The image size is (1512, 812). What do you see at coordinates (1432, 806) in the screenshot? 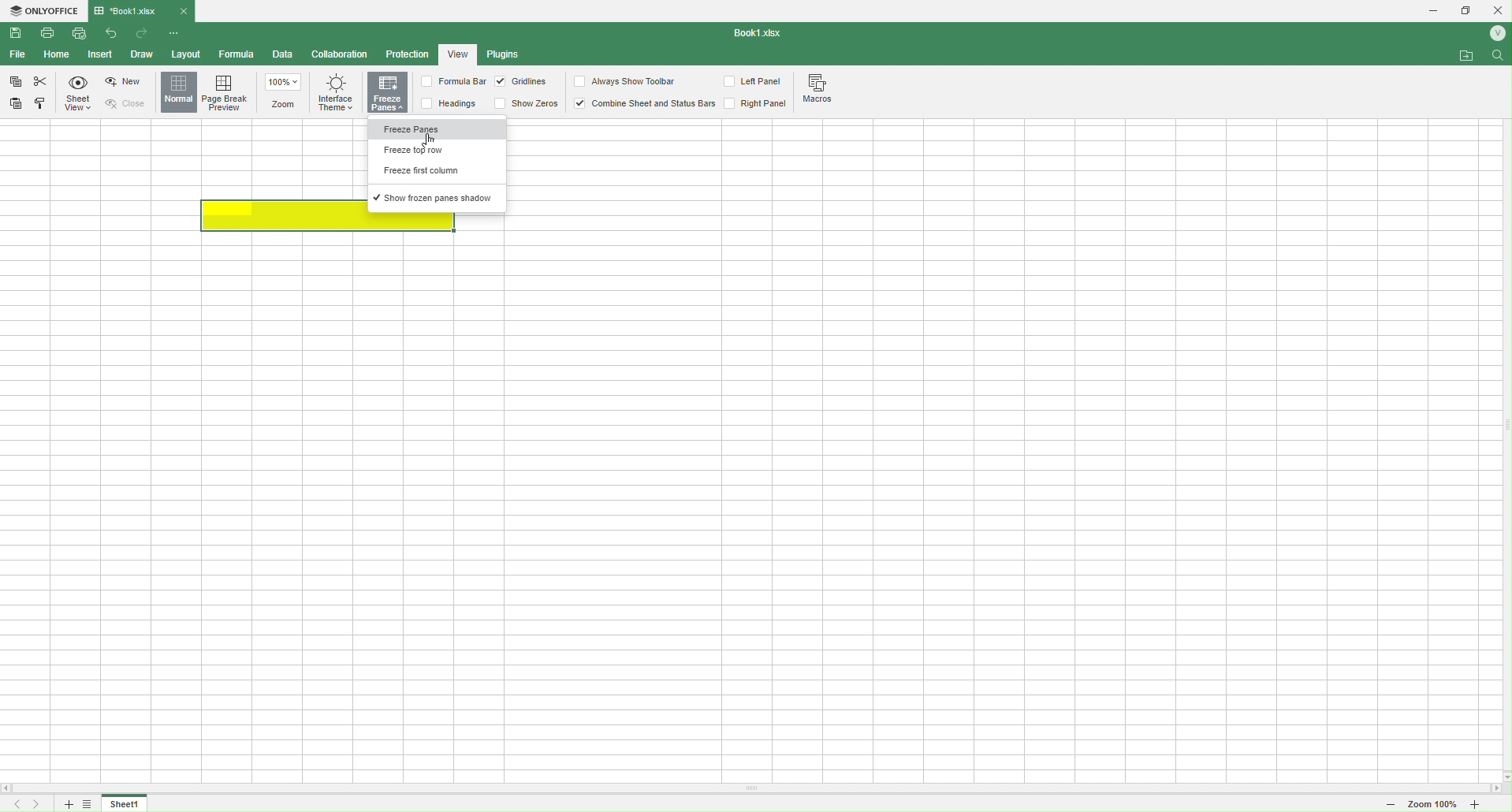
I see `Zoom 100%` at bounding box center [1432, 806].